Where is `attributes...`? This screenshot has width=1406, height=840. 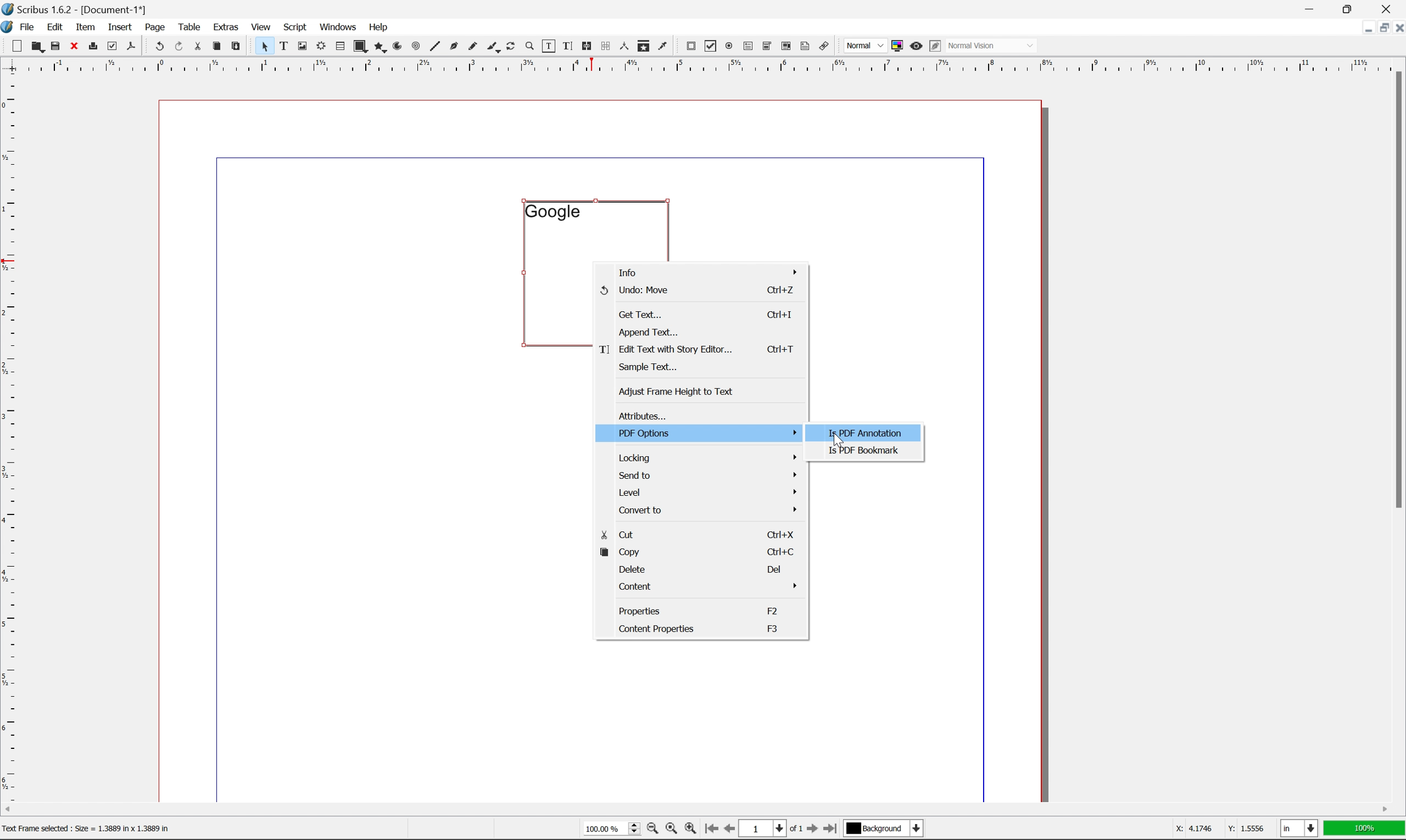 attributes... is located at coordinates (640, 417).